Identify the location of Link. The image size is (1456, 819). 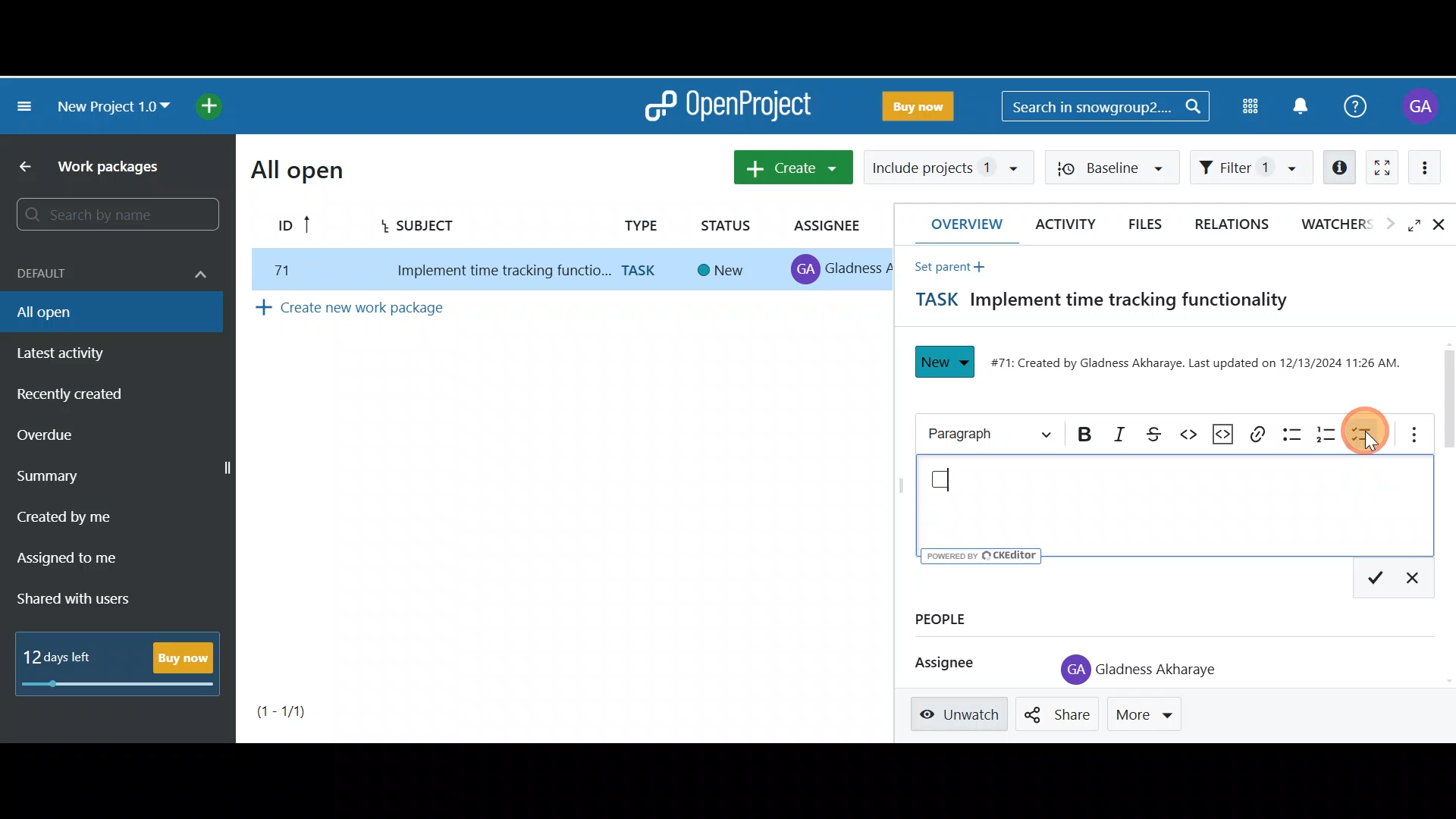
(1259, 432).